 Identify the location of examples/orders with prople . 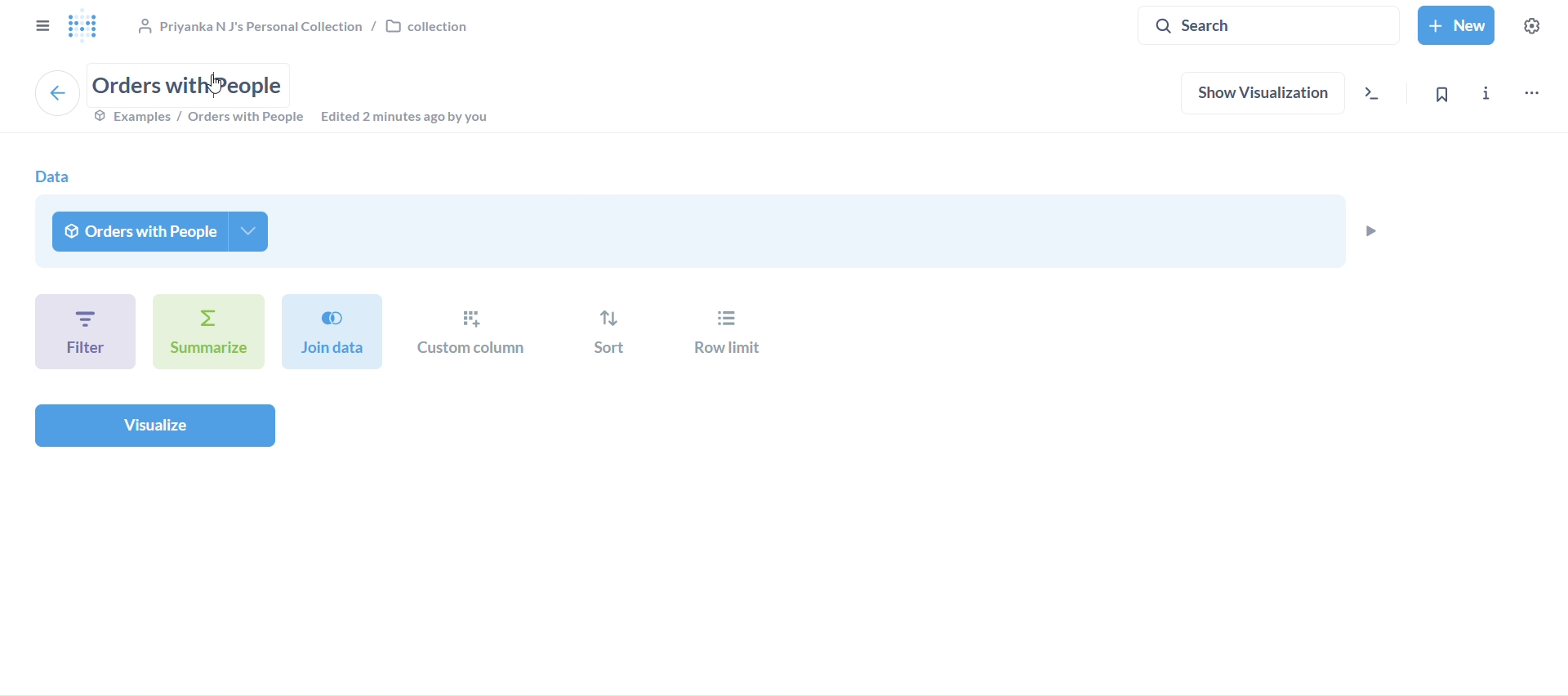
(198, 118).